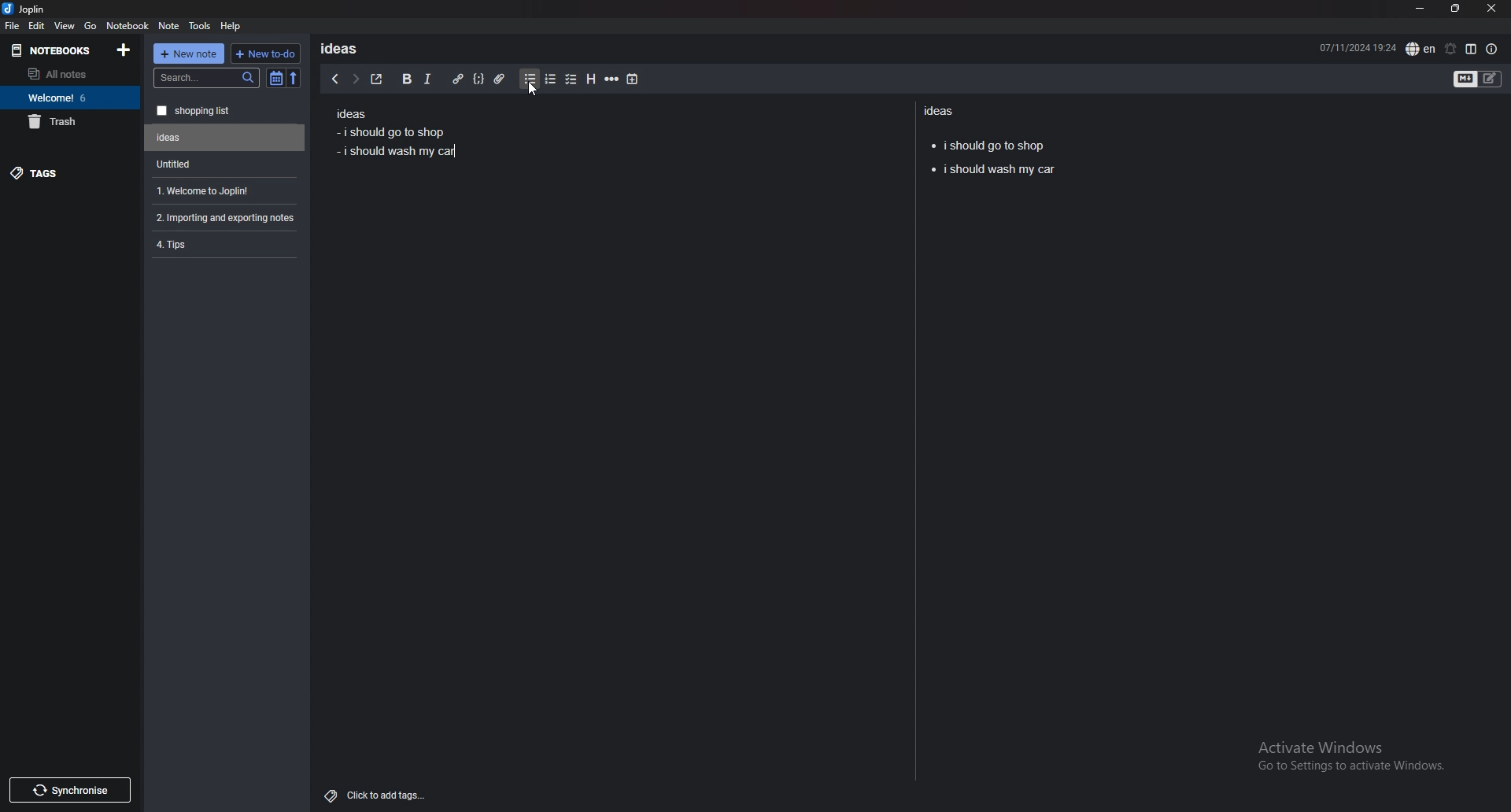 The image size is (1511, 812). Describe the element at coordinates (427, 79) in the screenshot. I see `italic` at that location.